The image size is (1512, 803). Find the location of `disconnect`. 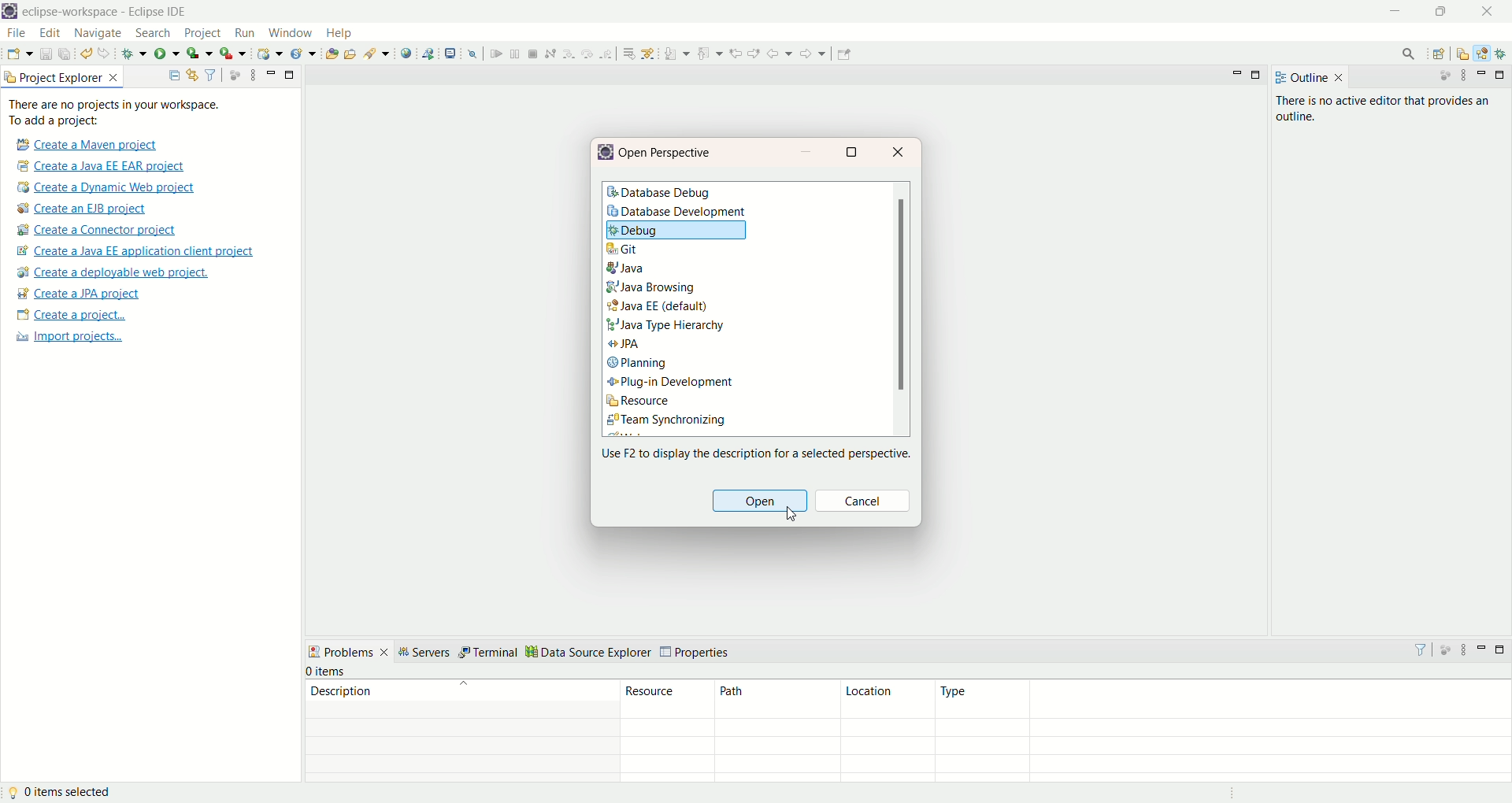

disconnect is located at coordinates (550, 53).